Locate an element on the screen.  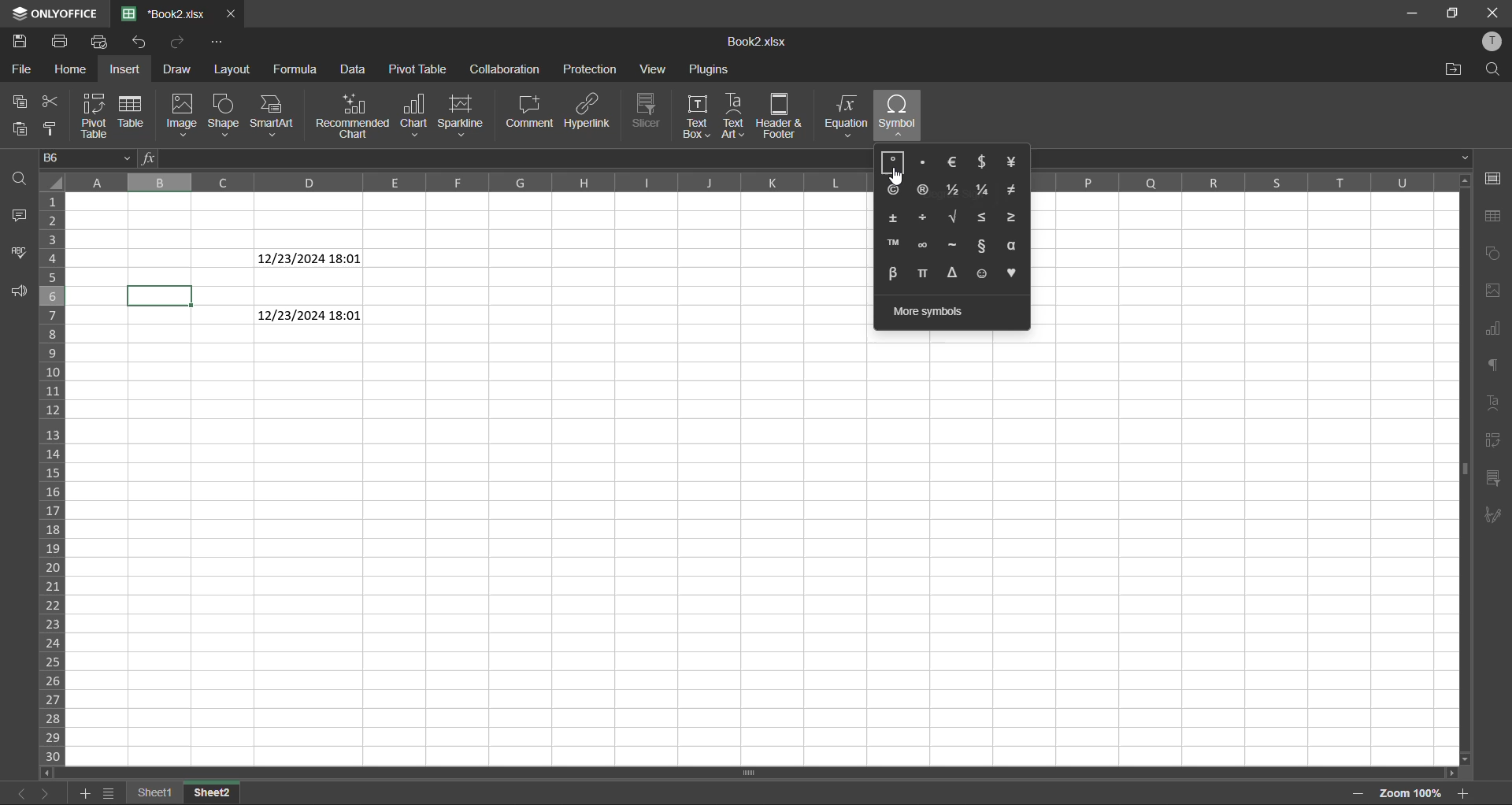
layout is located at coordinates (240, 69).